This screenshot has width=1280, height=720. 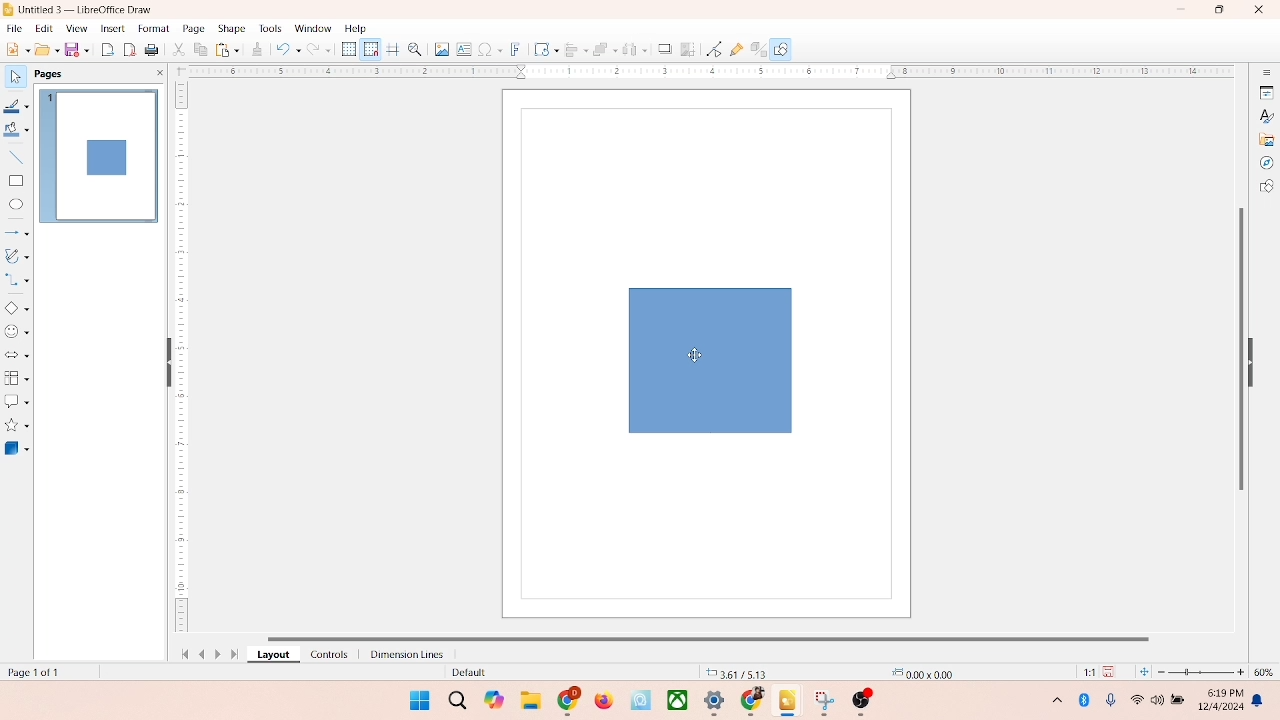 What do you see at coordinates (111, 28) in the screenshot?
I see `insert` at bounding box center [111, 28].